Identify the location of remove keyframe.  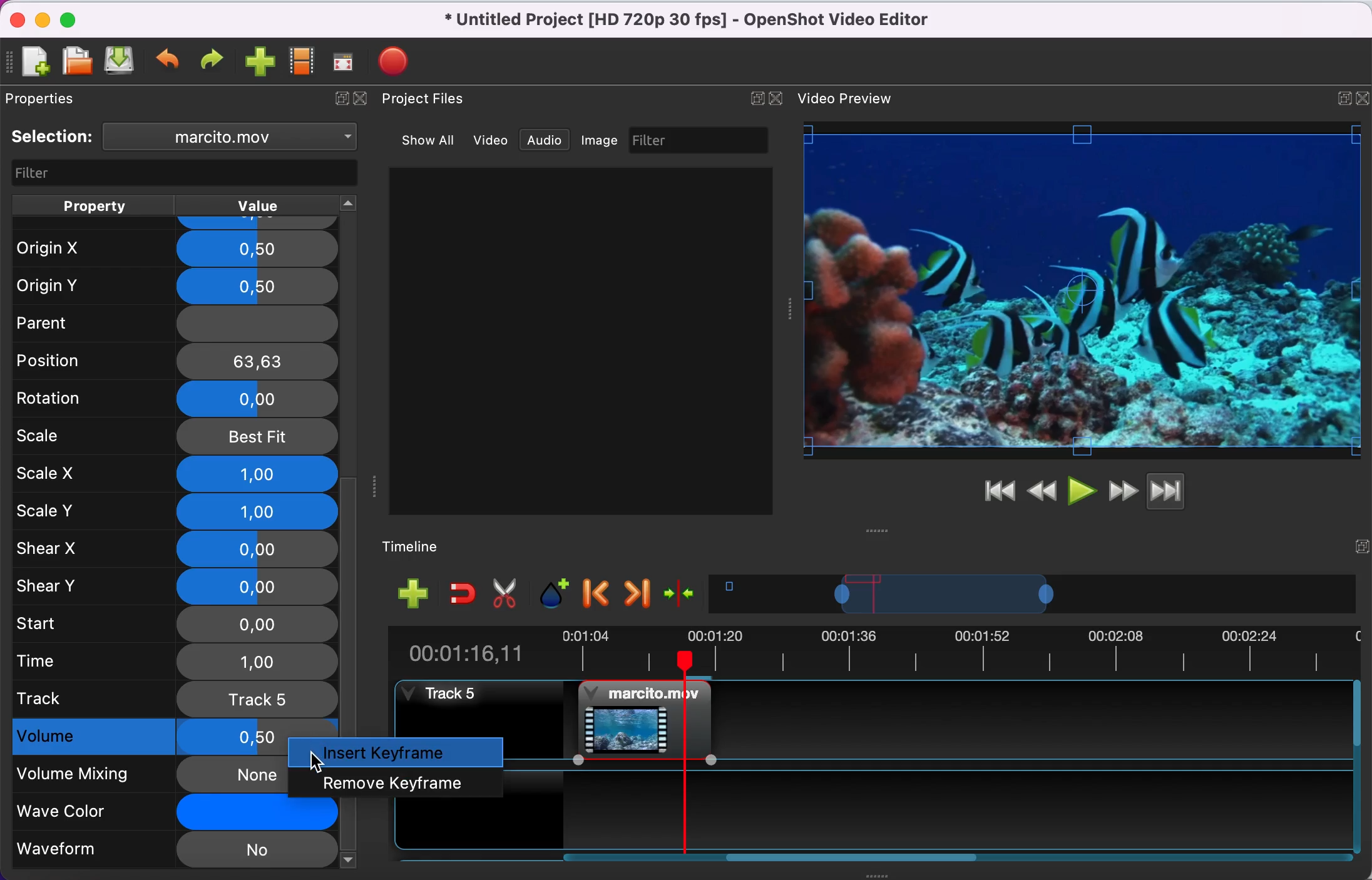
(397, 782).